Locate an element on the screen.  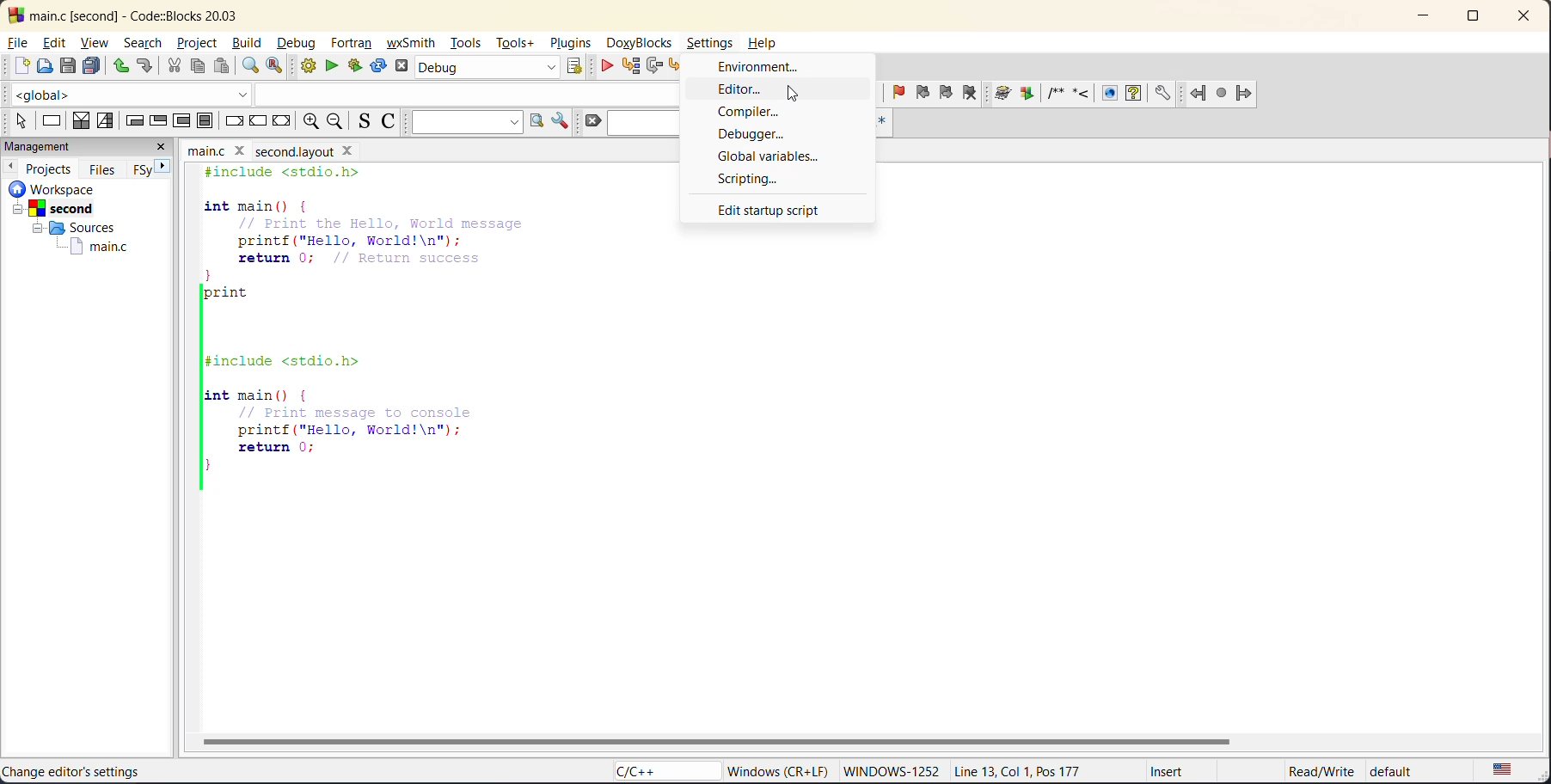
search is located at coordinates (144, 45).